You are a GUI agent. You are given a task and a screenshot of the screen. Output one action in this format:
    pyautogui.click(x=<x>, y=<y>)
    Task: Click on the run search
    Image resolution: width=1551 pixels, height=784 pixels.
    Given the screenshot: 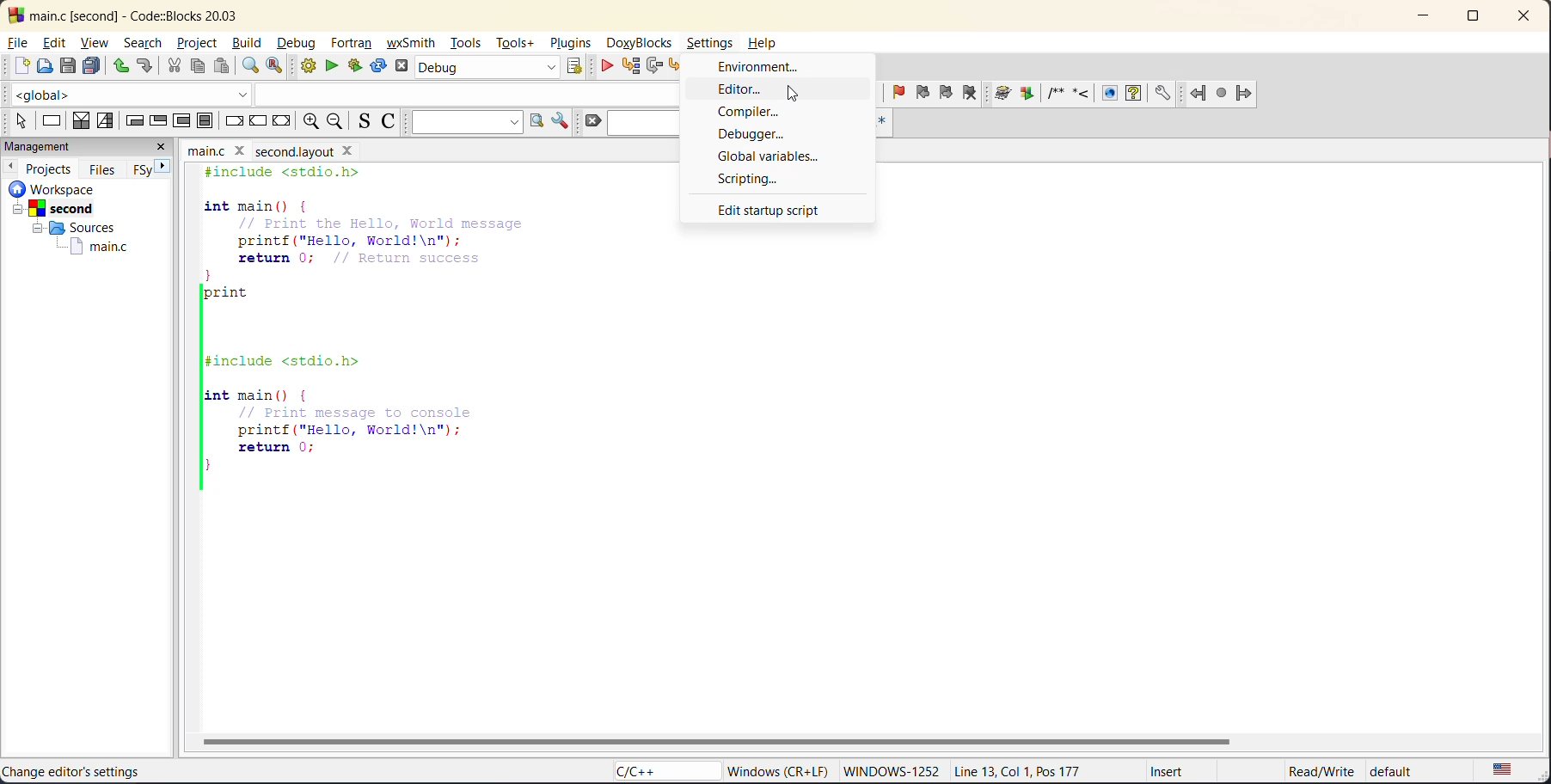 What is the action you would take?
    pyautogui.click(x=533, y=121)
    